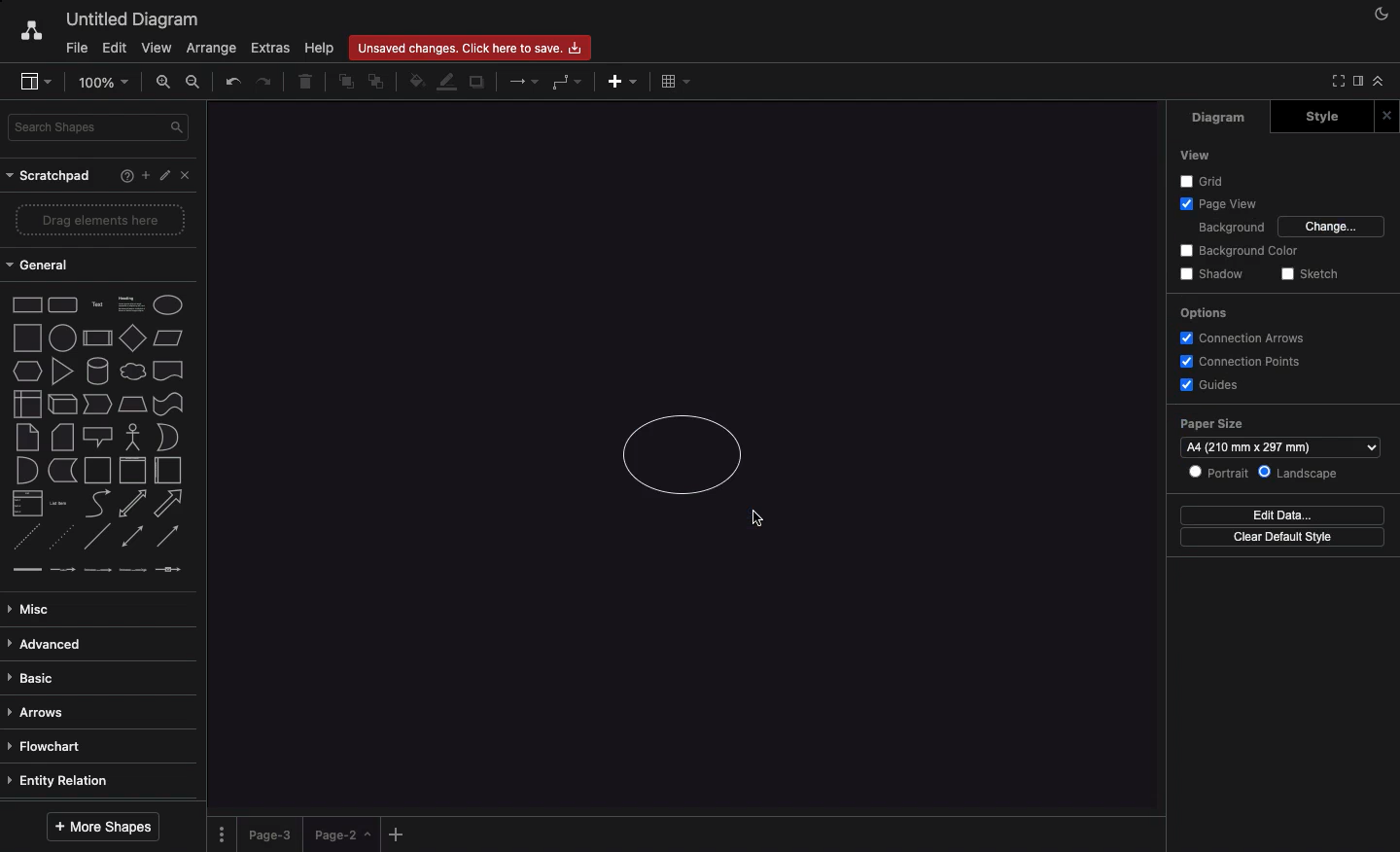 This screenshot has width=1400, height=852. What do you see at coordinates (169, 504) in the screenshot?
I see `arrow` at bounding box center [169, 504].